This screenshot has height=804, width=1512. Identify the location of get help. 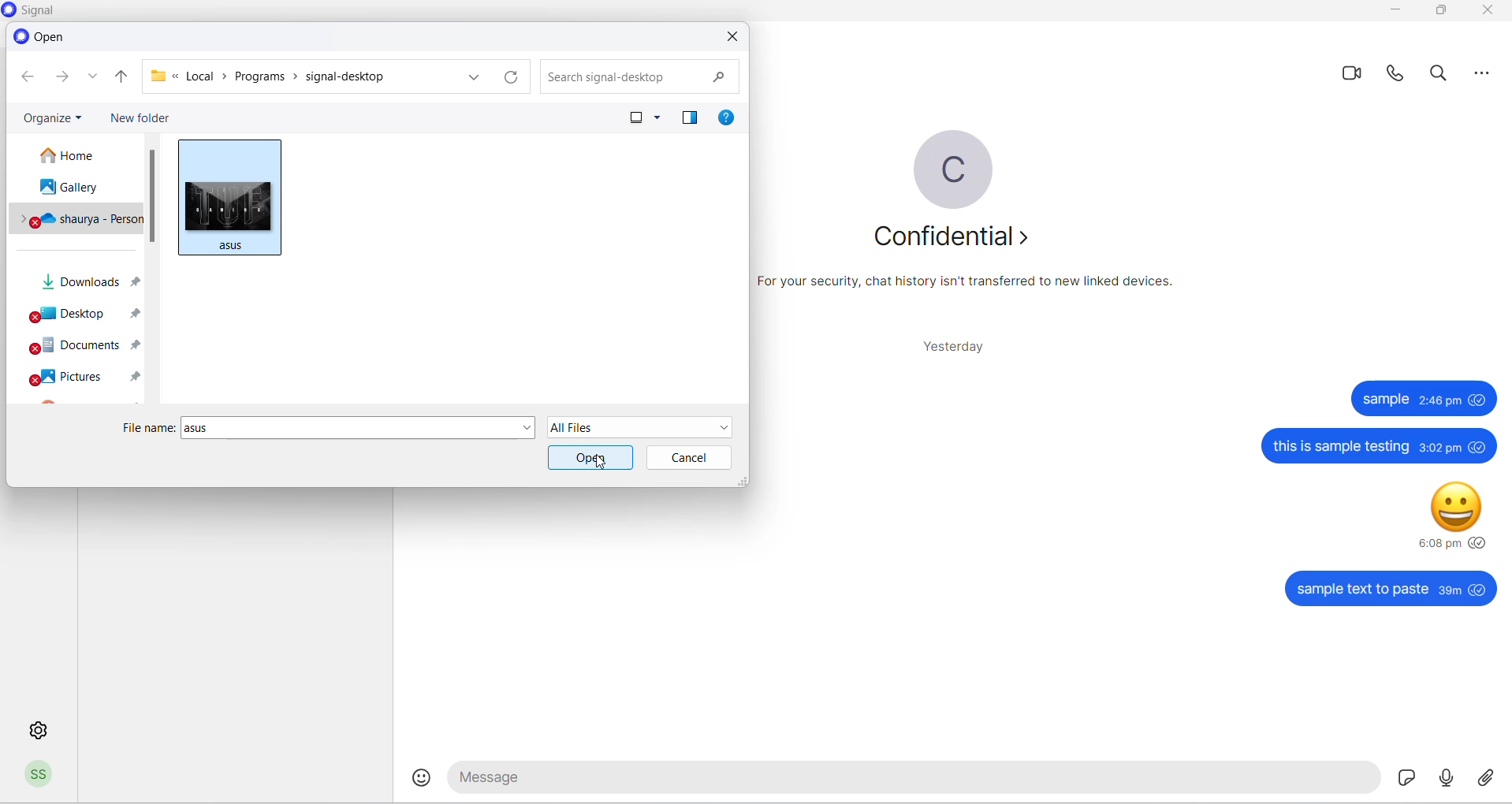
(729, 120).